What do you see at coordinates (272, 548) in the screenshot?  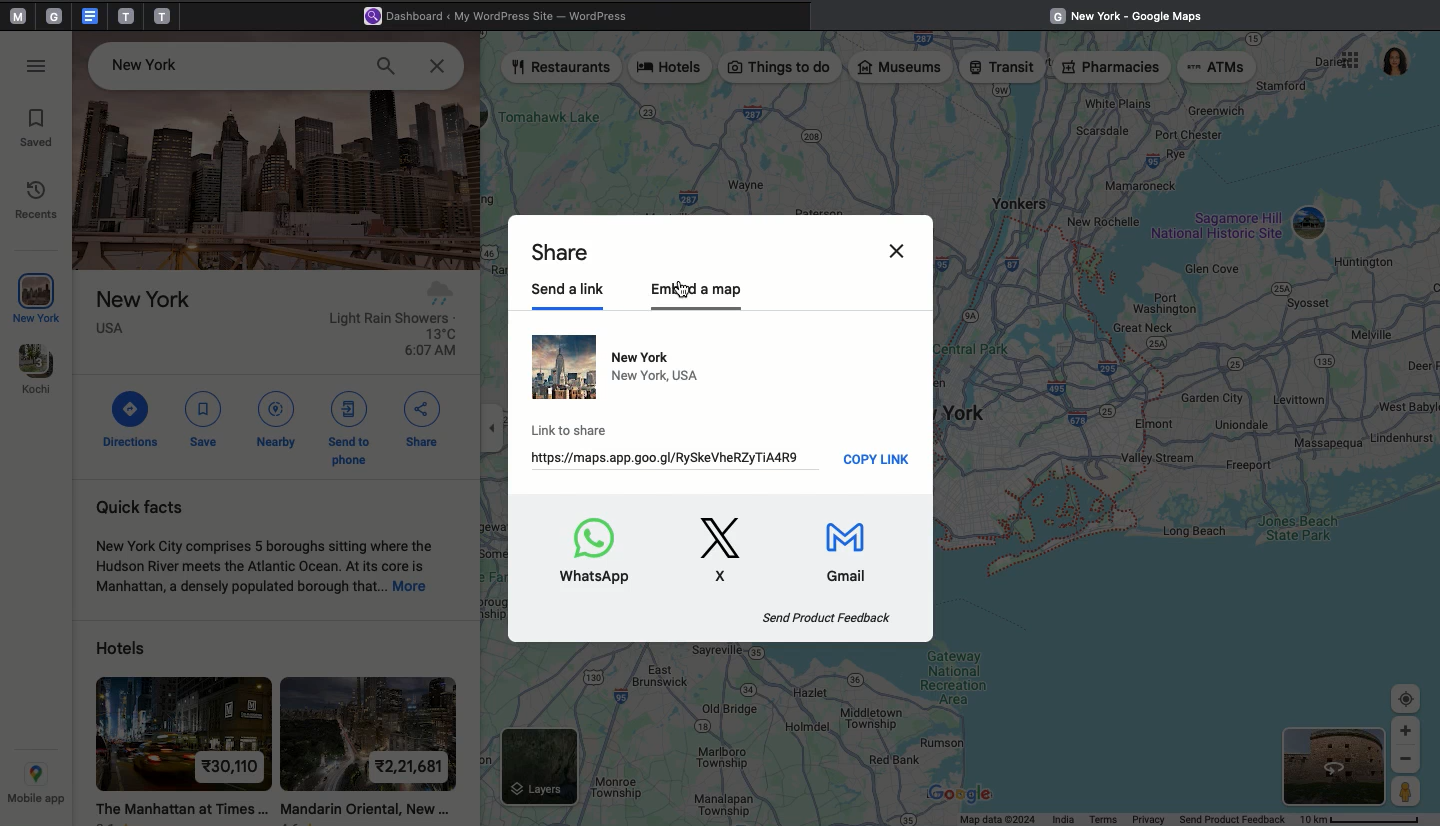 I see `Quick facts` at bounding box center [272, 548].